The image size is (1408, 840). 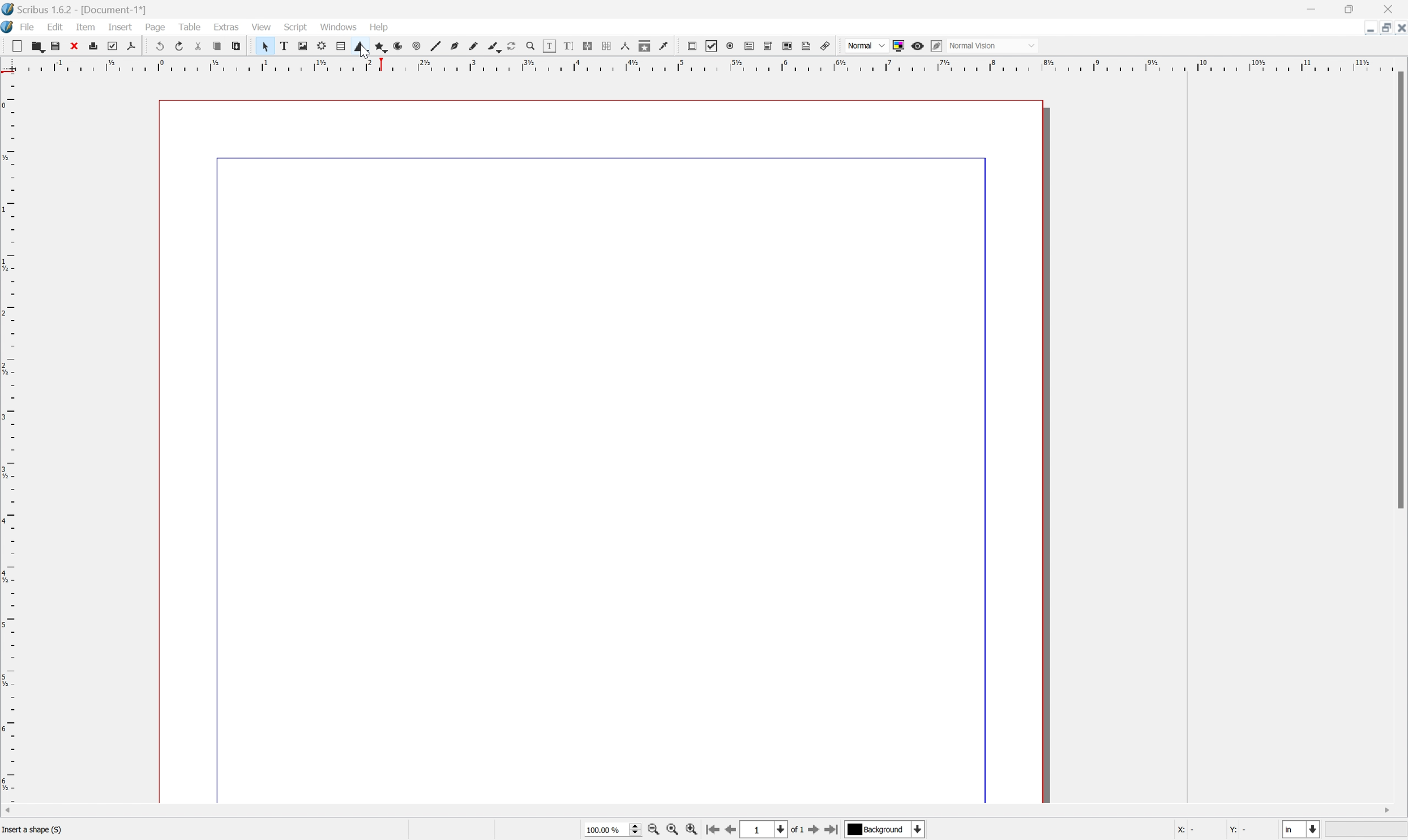 What do you see at coordinates (155, 27) in the screenshot?
I see `Page` at bounding box center [155, 27].